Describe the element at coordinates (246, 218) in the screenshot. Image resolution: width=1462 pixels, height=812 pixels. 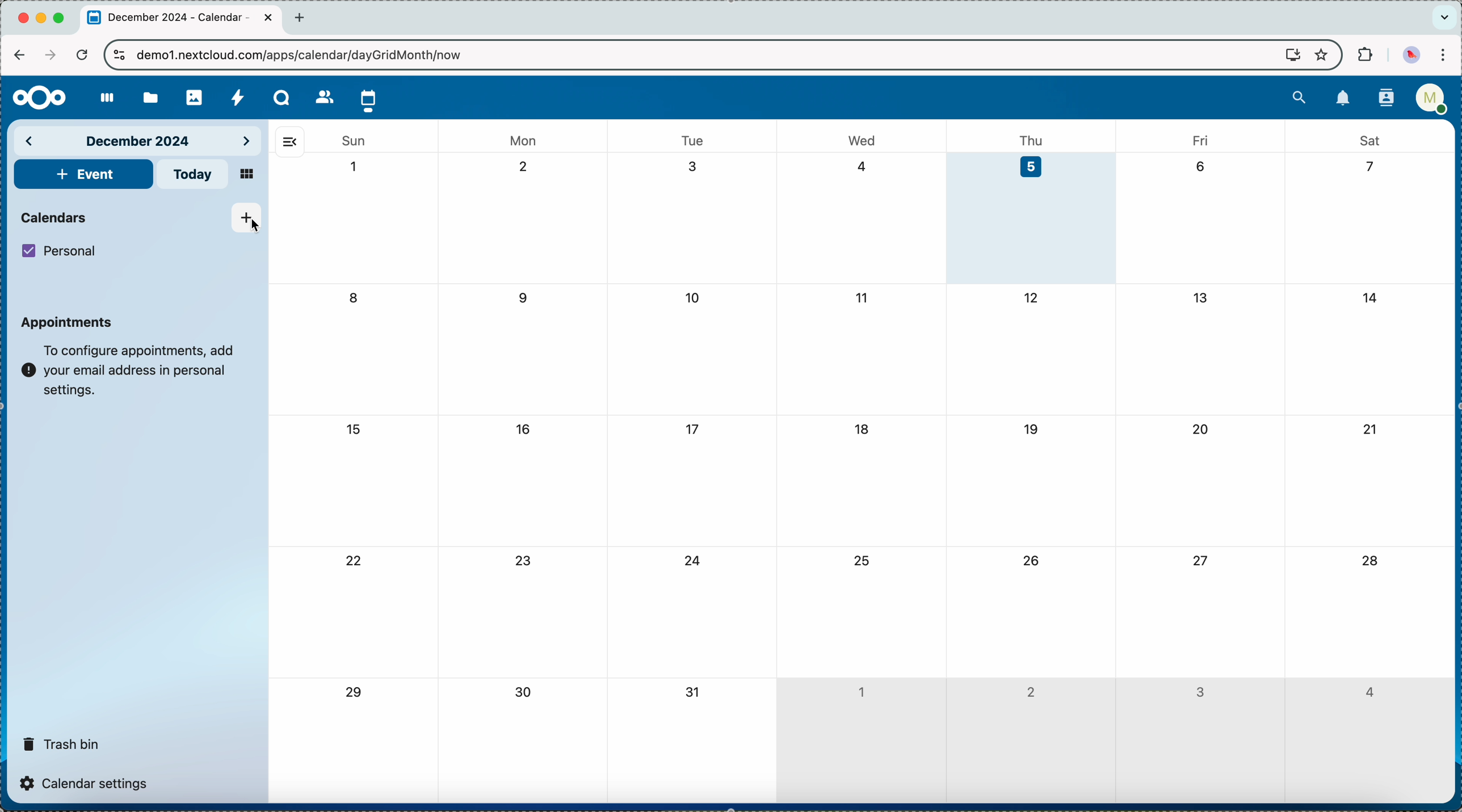
I see `click on add new calendar` at that location.